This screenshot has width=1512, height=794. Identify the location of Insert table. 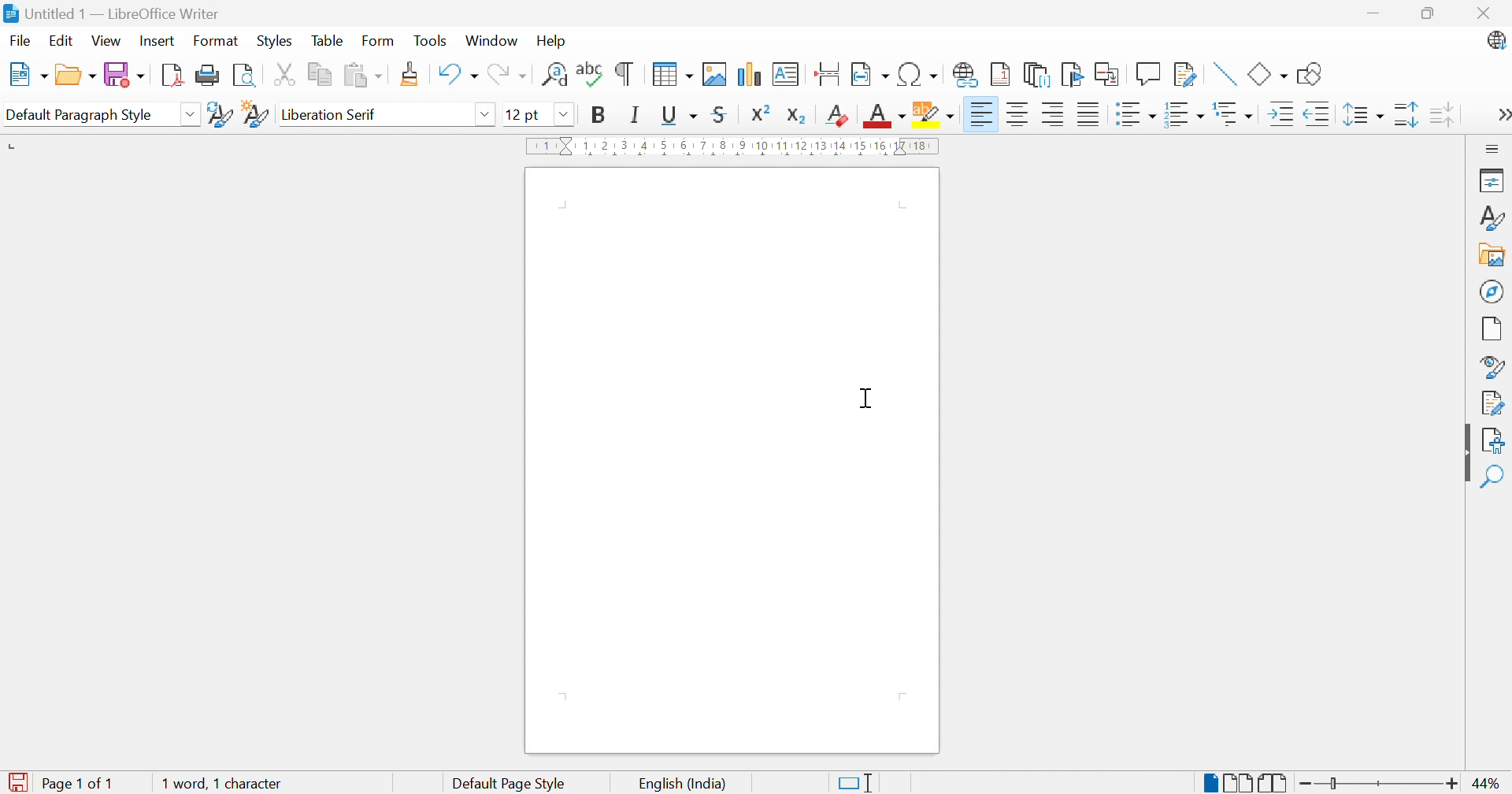
(672, 74).